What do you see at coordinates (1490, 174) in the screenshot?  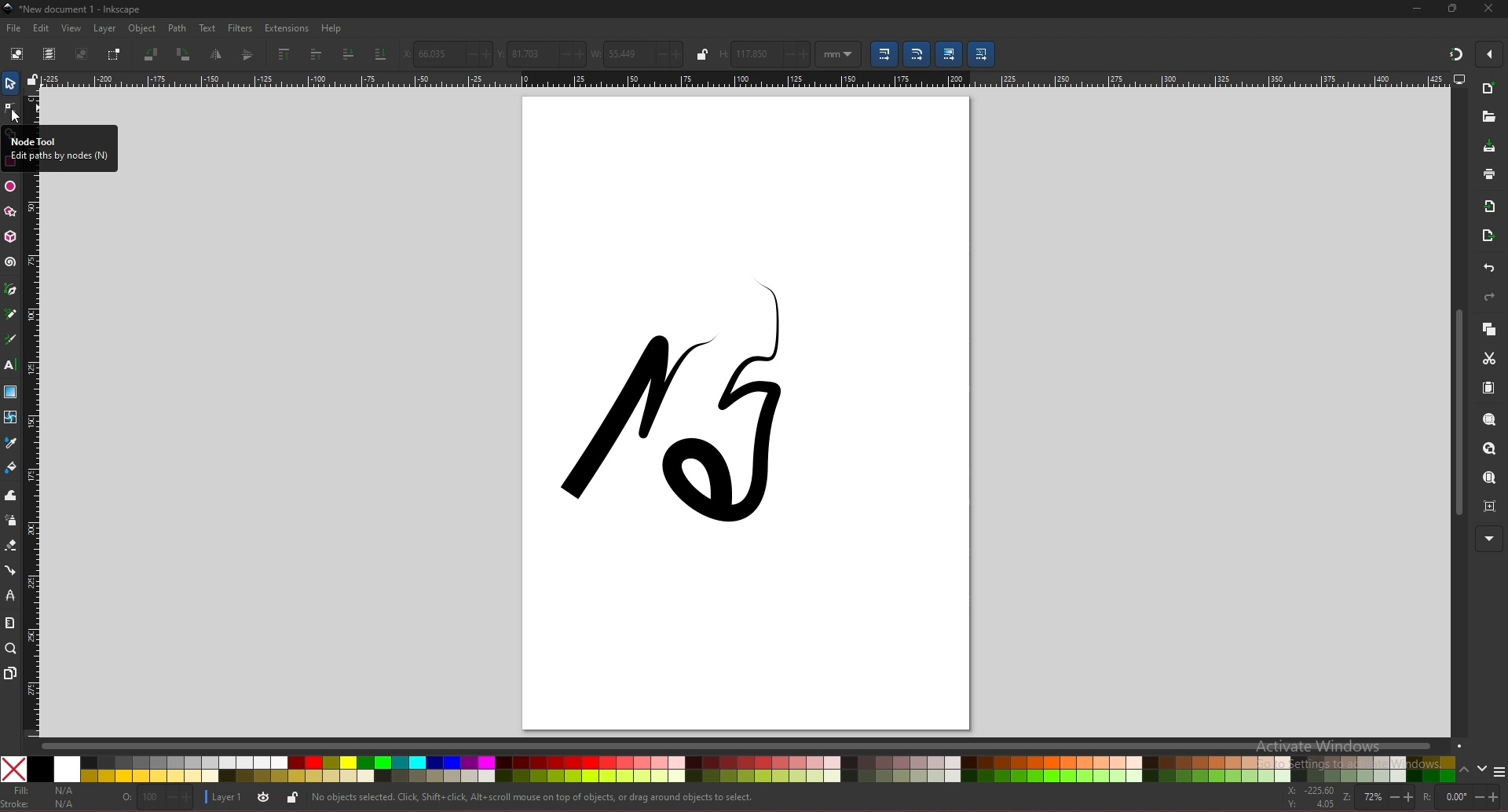 I see `print` at bounding box center [1490, 174].